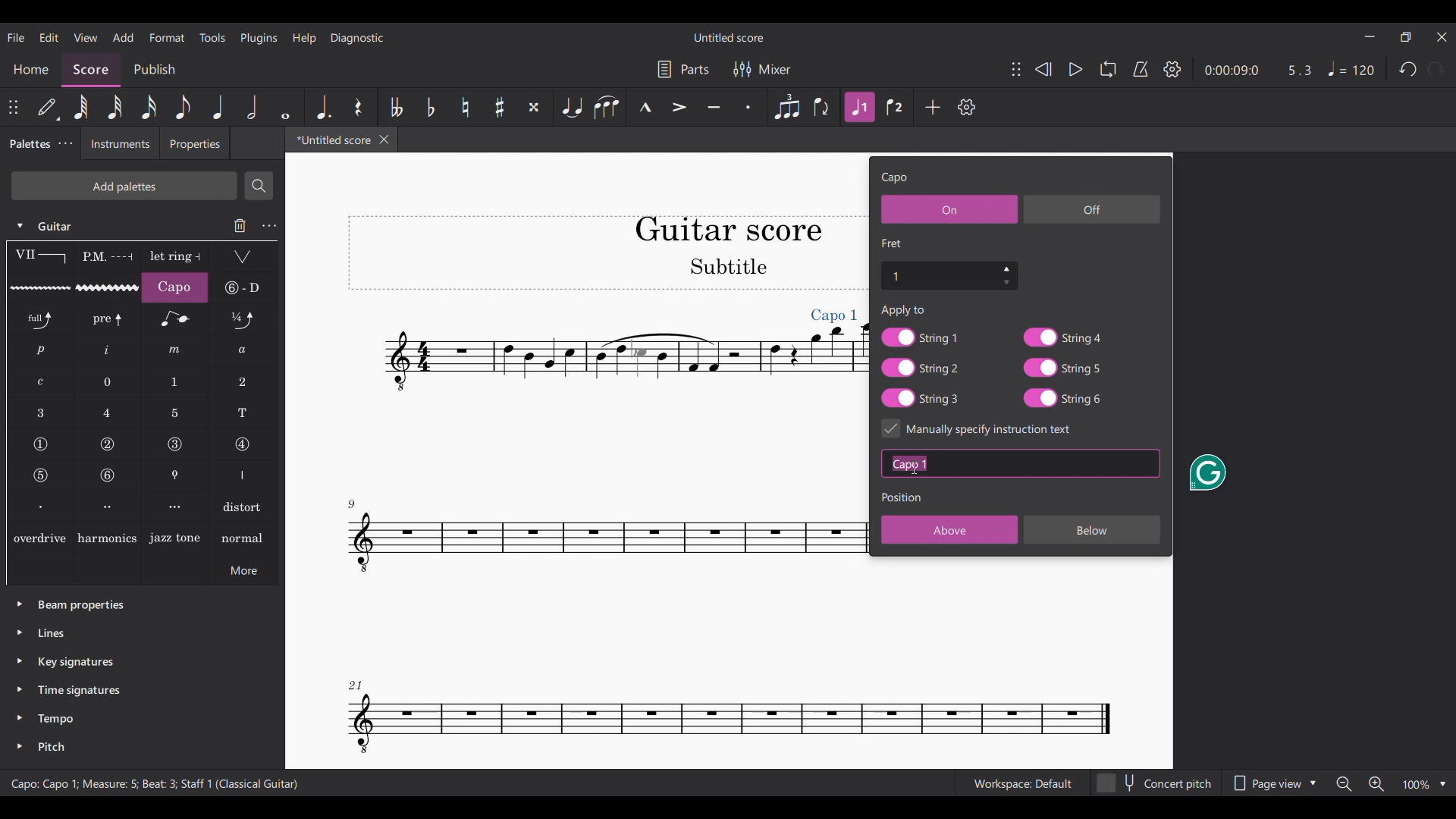 The image size is (1456, 819). I want to click on Tremolo bar, so click(243, 257).